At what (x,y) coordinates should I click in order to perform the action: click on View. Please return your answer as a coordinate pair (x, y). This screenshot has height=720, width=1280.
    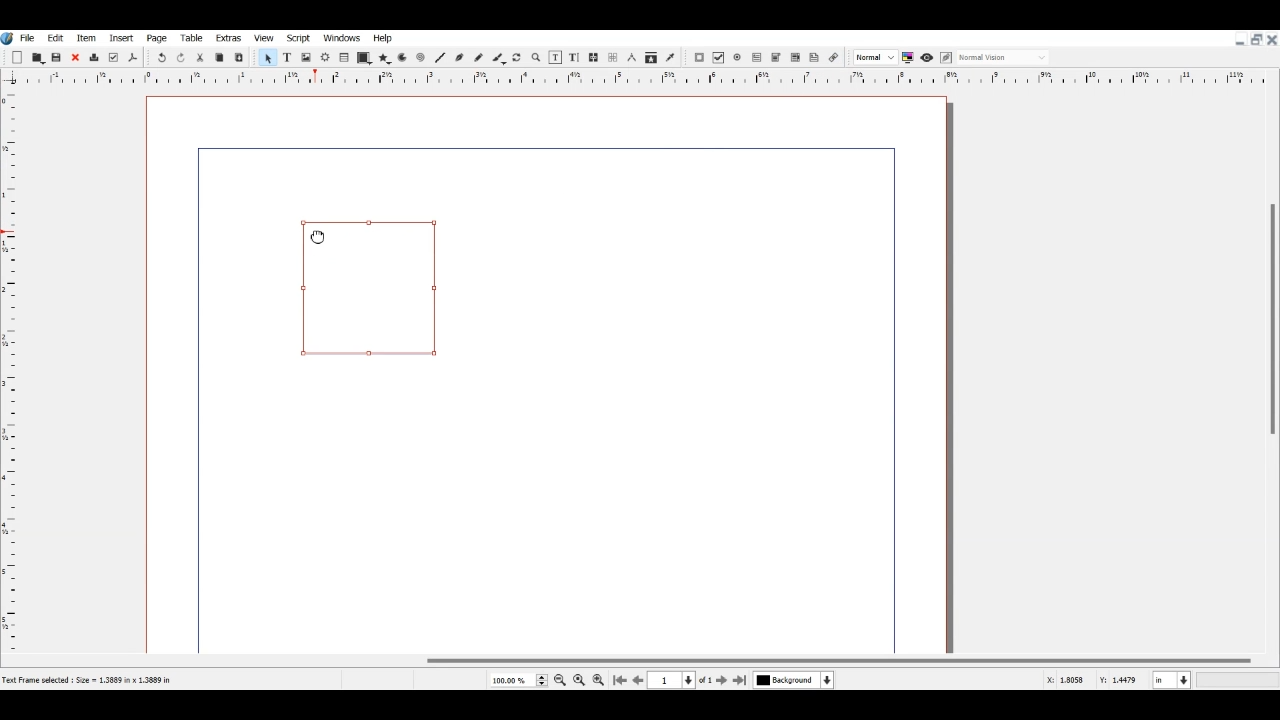
    Looking at the image, I should click on (263, 38).